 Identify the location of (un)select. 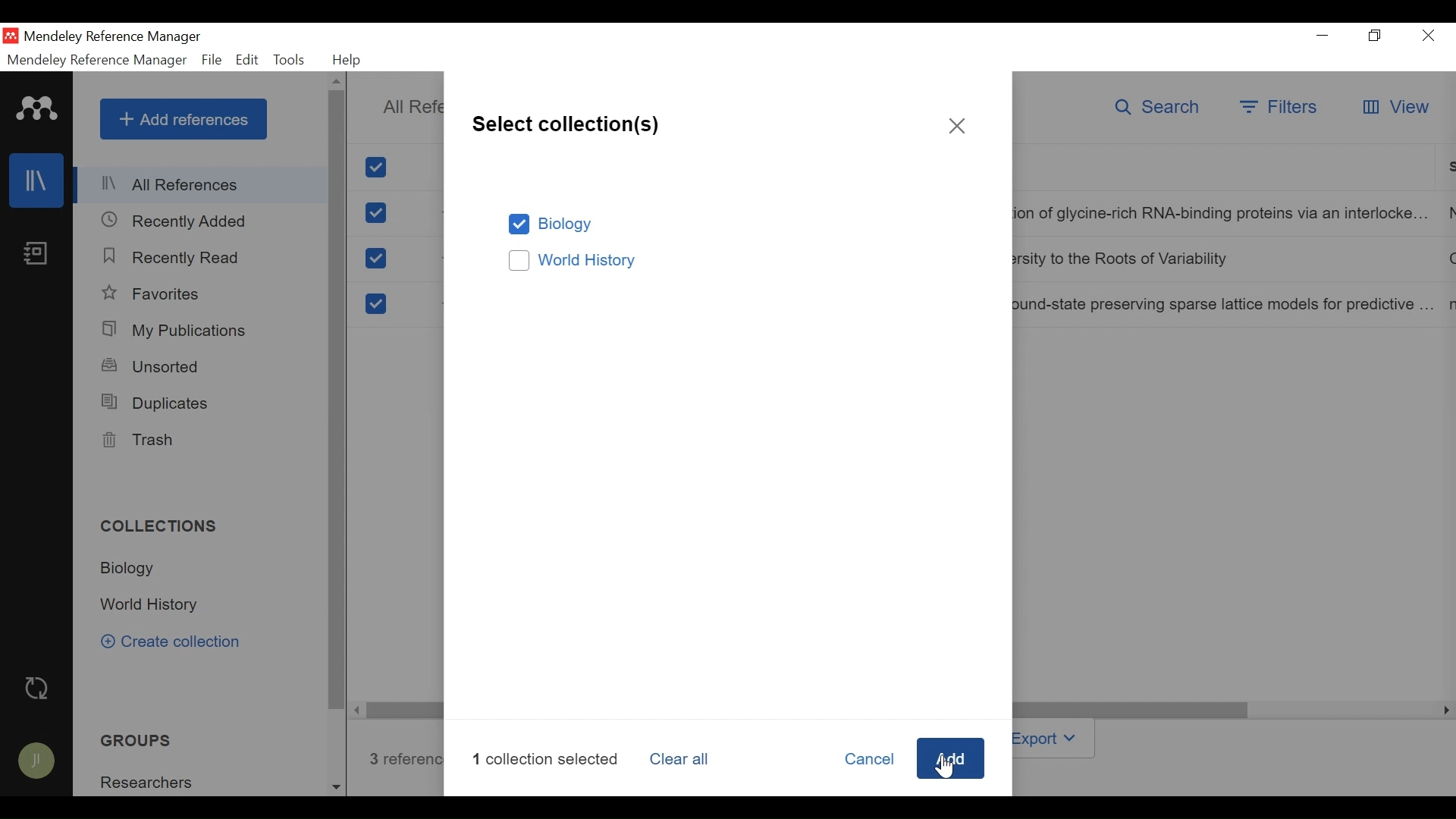
(375, 259).